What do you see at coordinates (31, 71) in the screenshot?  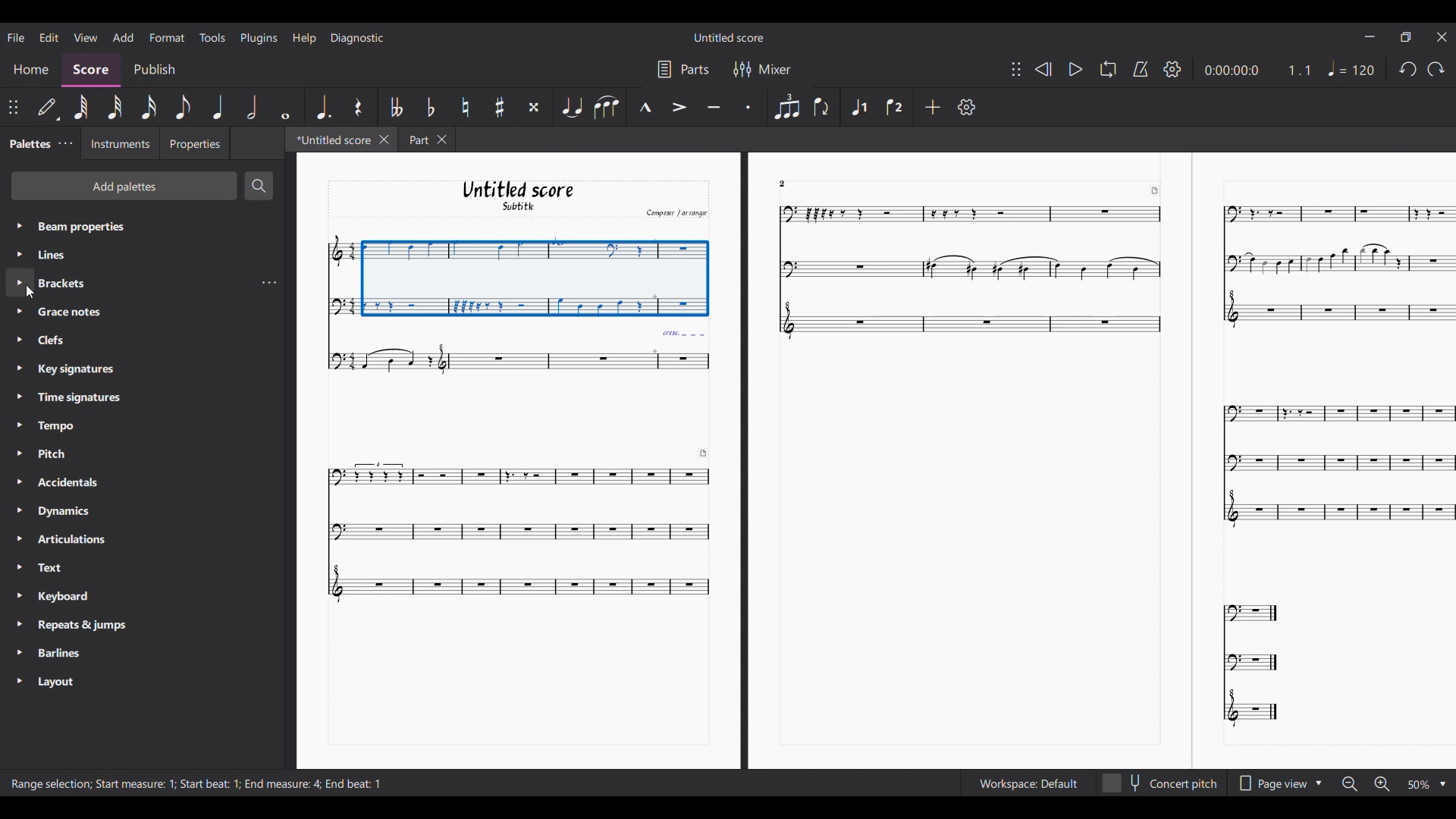 I see `Home ` at bounding box center [31, 71].